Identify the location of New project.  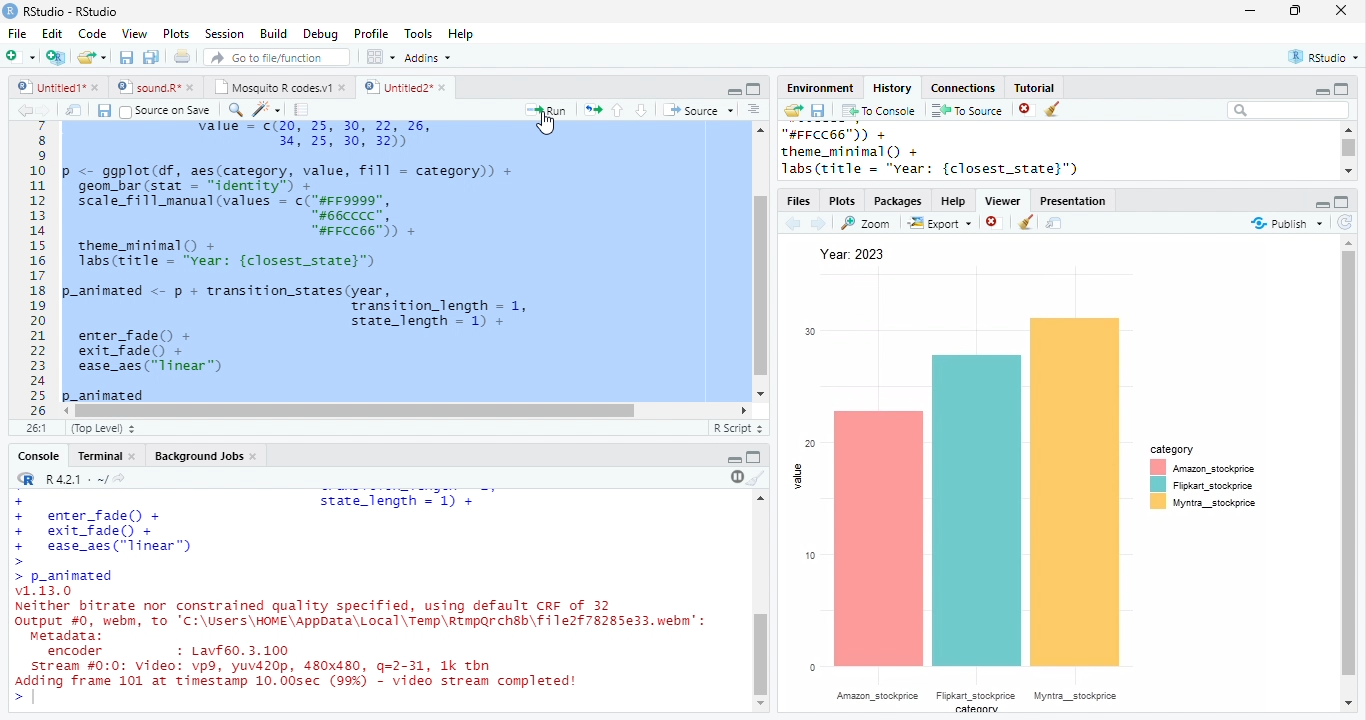
(56, 58).